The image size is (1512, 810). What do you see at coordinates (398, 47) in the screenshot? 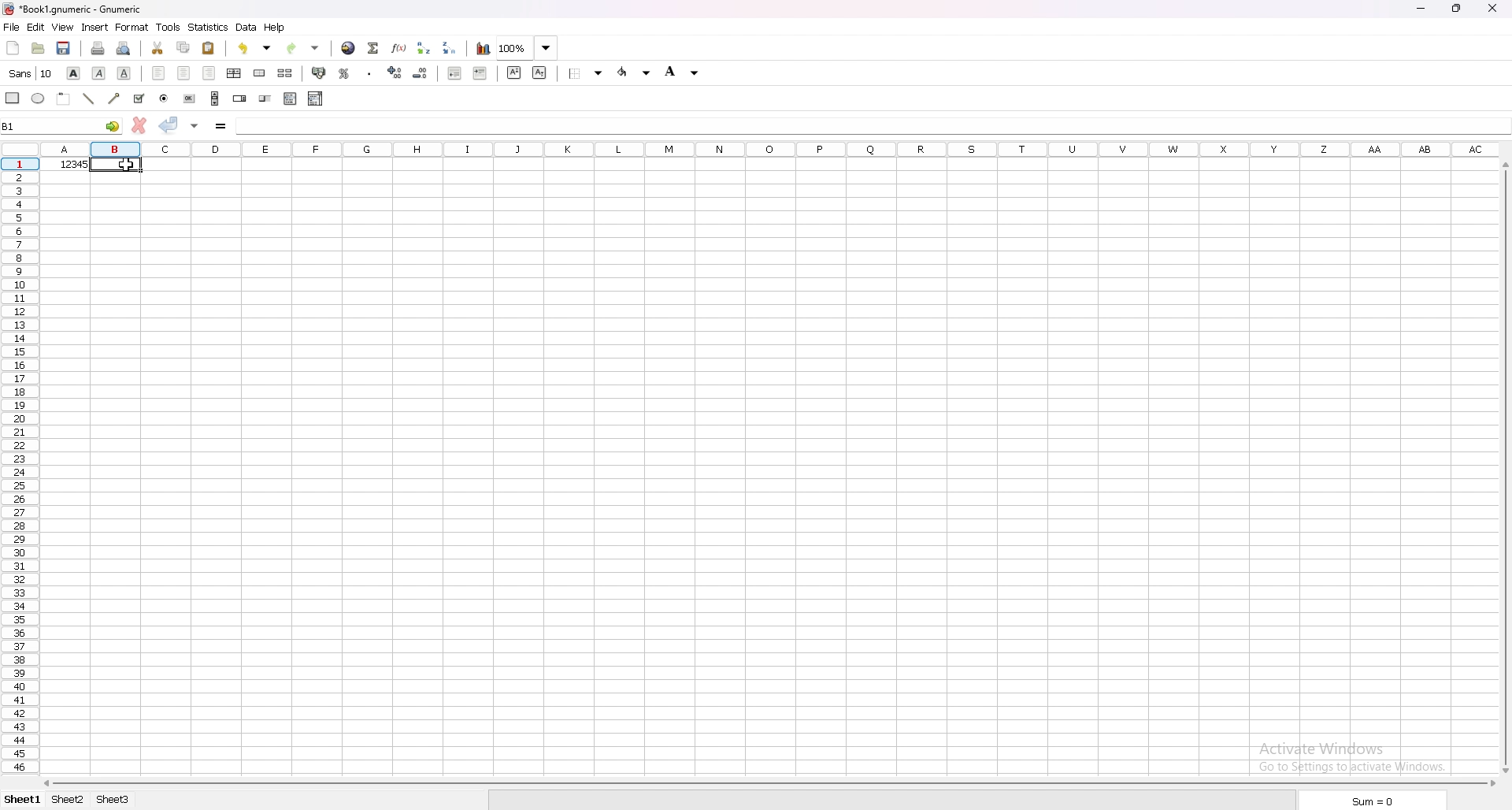
I see `function` at bounding box center [398, 47].